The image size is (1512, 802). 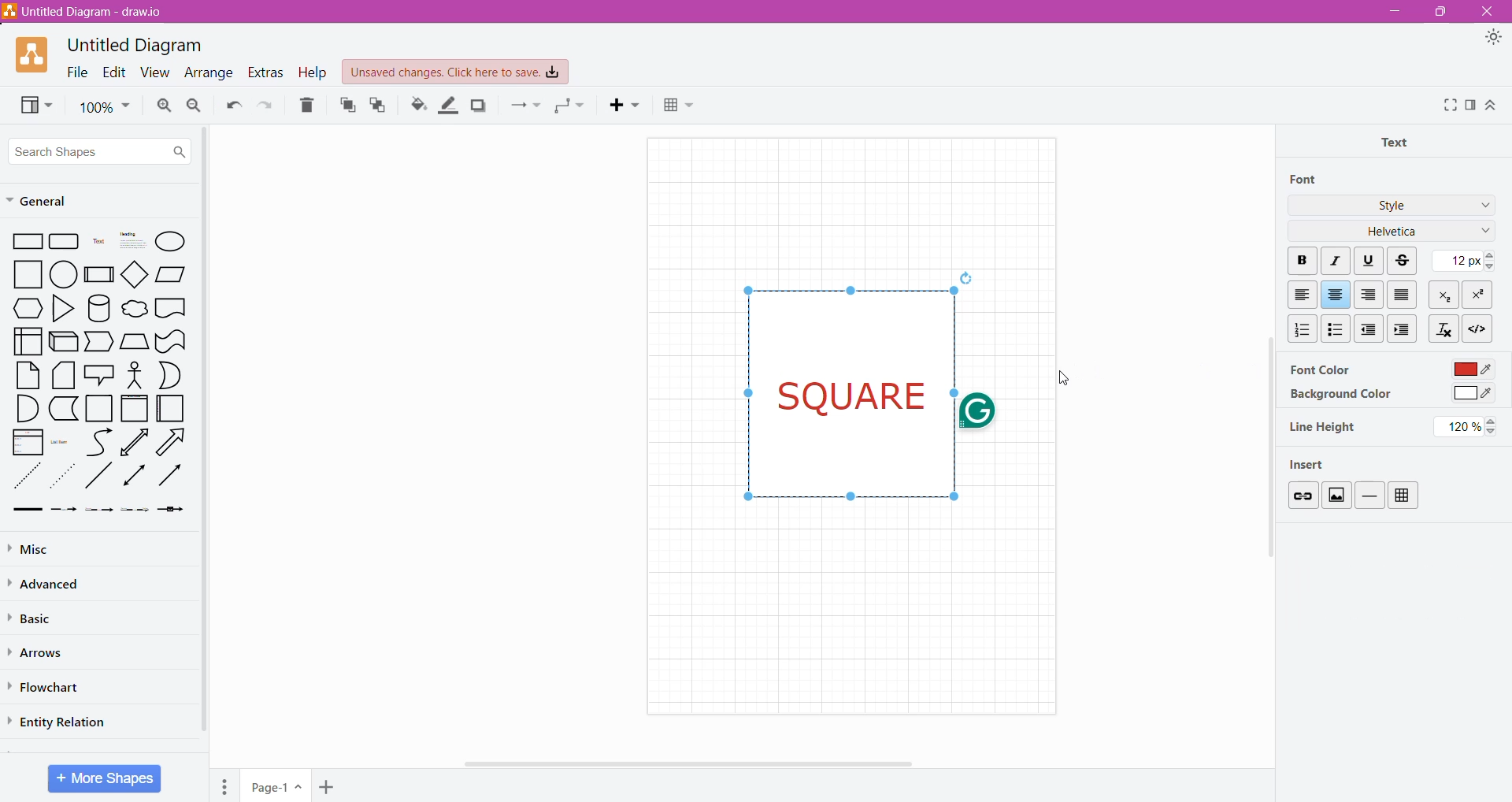 I want to click on Insert Horizontal Line, so click(x=1370, y=495).